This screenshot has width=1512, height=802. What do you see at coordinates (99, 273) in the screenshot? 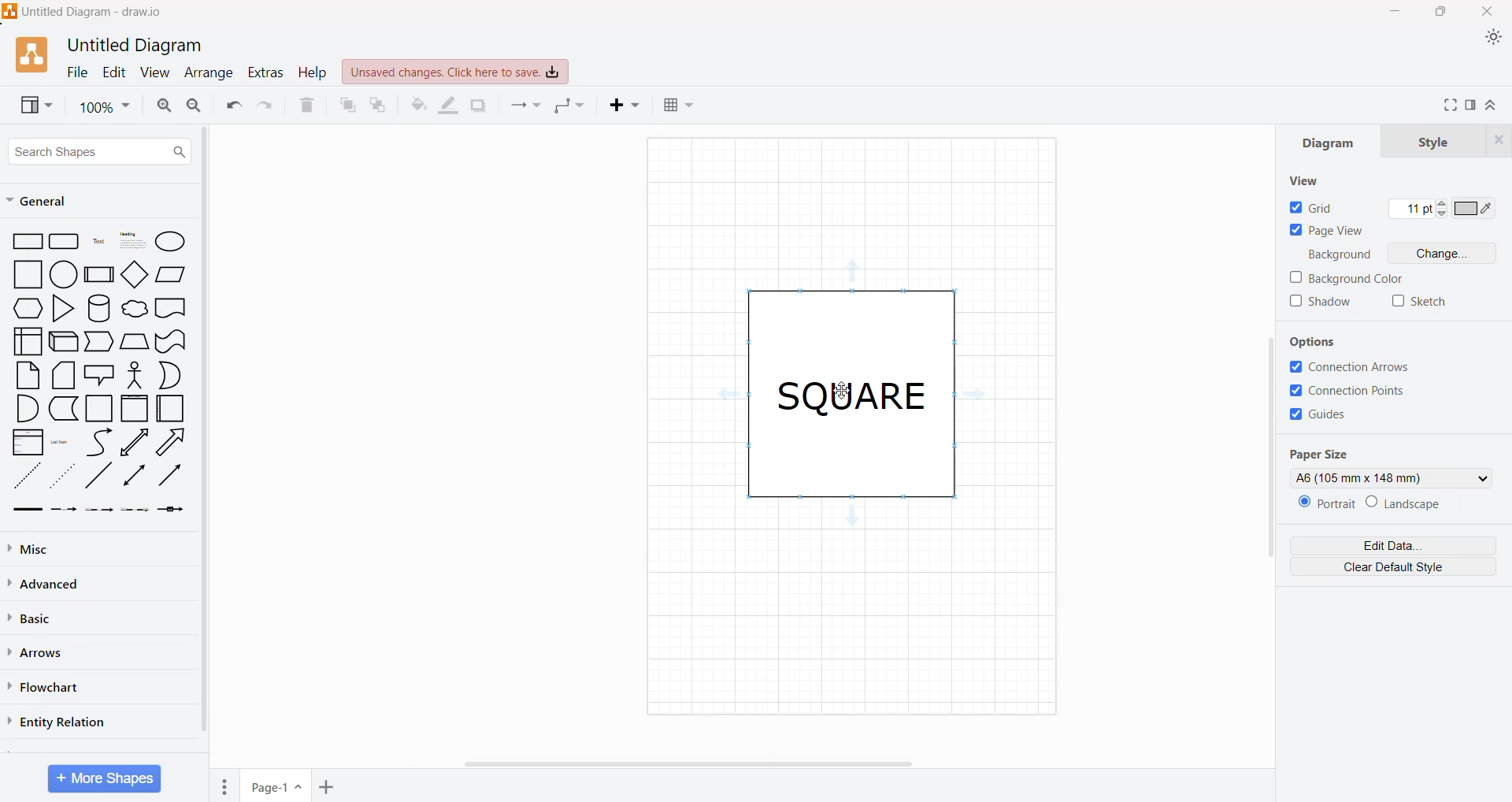
I see `Subprocess` at bounding box center [99, 273].